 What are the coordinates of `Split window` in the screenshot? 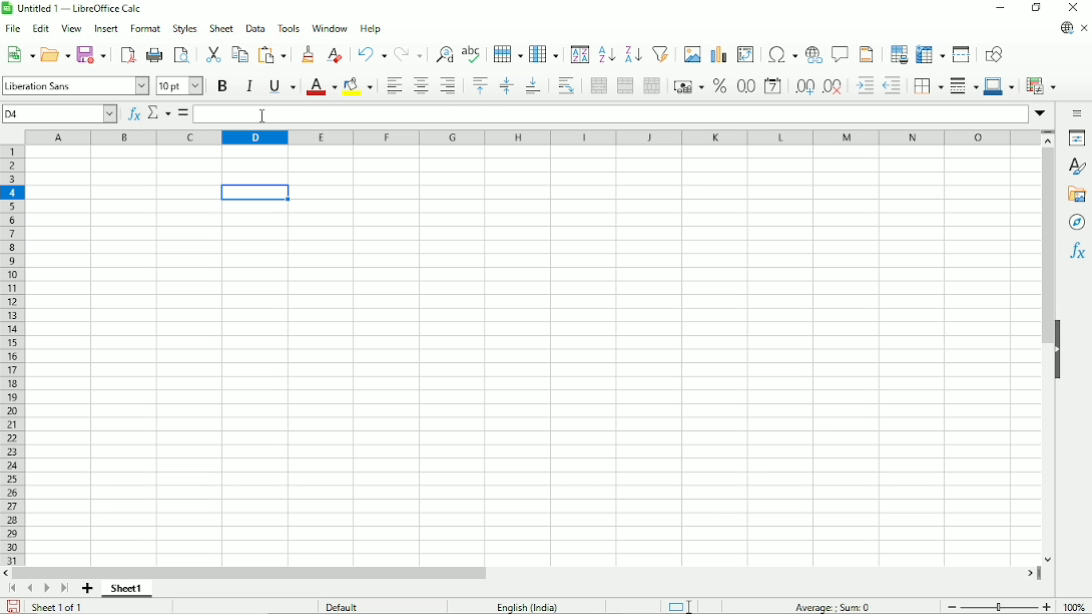 It's located at (961, 54).